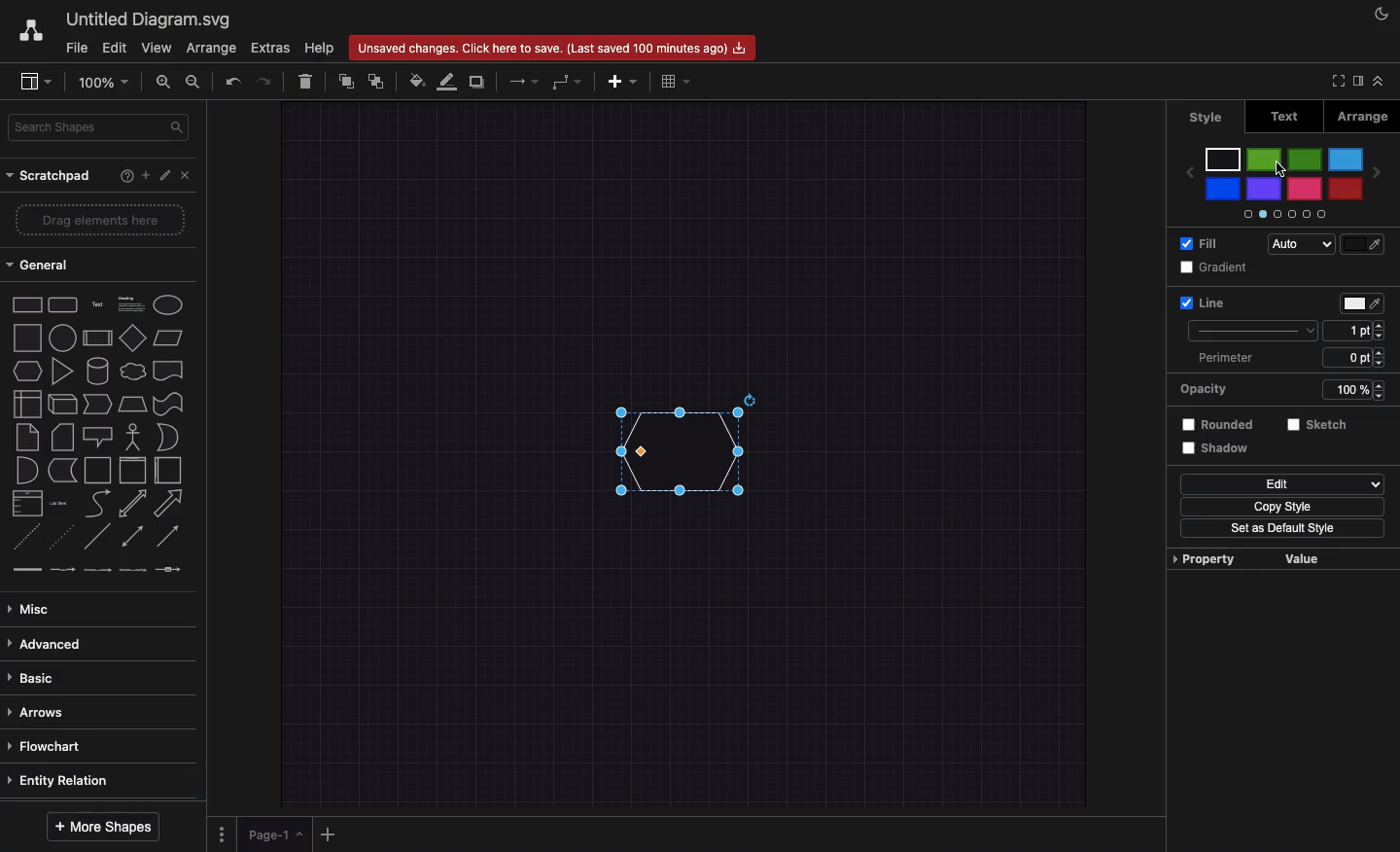 This screenshot has height=852, width=1400. I want to click on Undo, so click(228, 82).